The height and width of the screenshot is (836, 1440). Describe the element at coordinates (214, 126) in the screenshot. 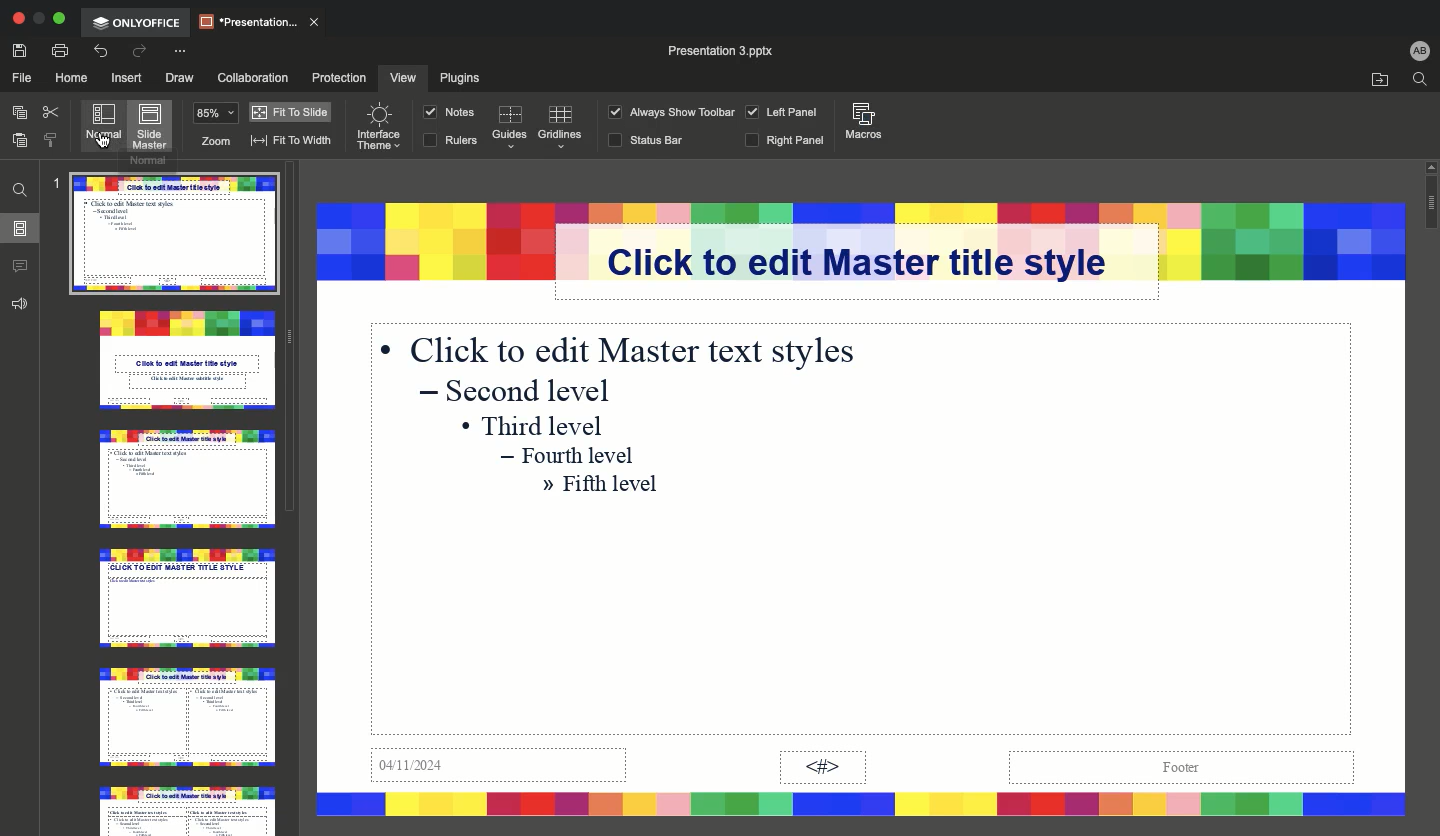

I see `Zoom` at that location.